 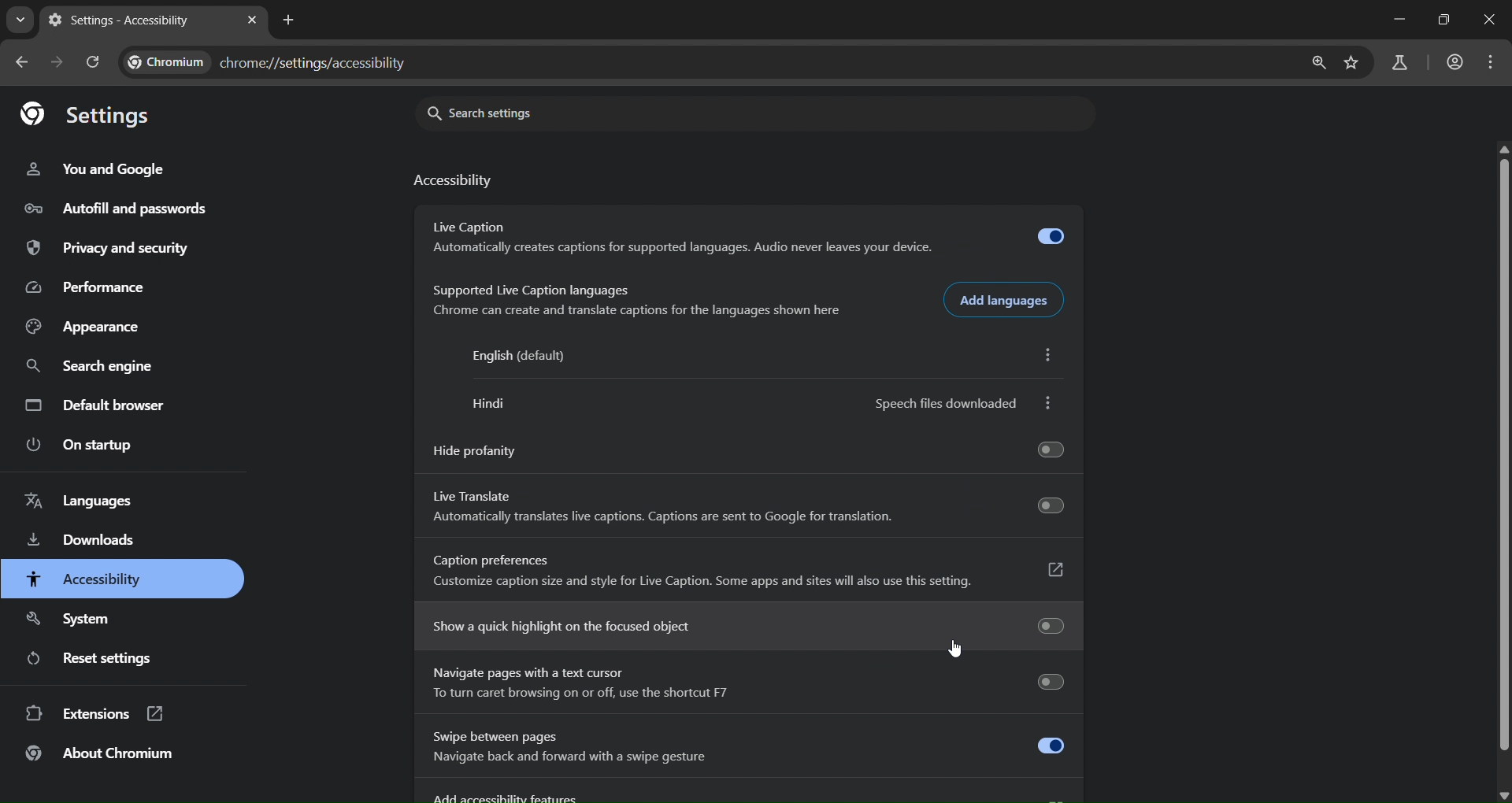 What do you see at coordinates (741, 794) in the screenshot?
I see `add accessibility` at bounding box center [741, 794].